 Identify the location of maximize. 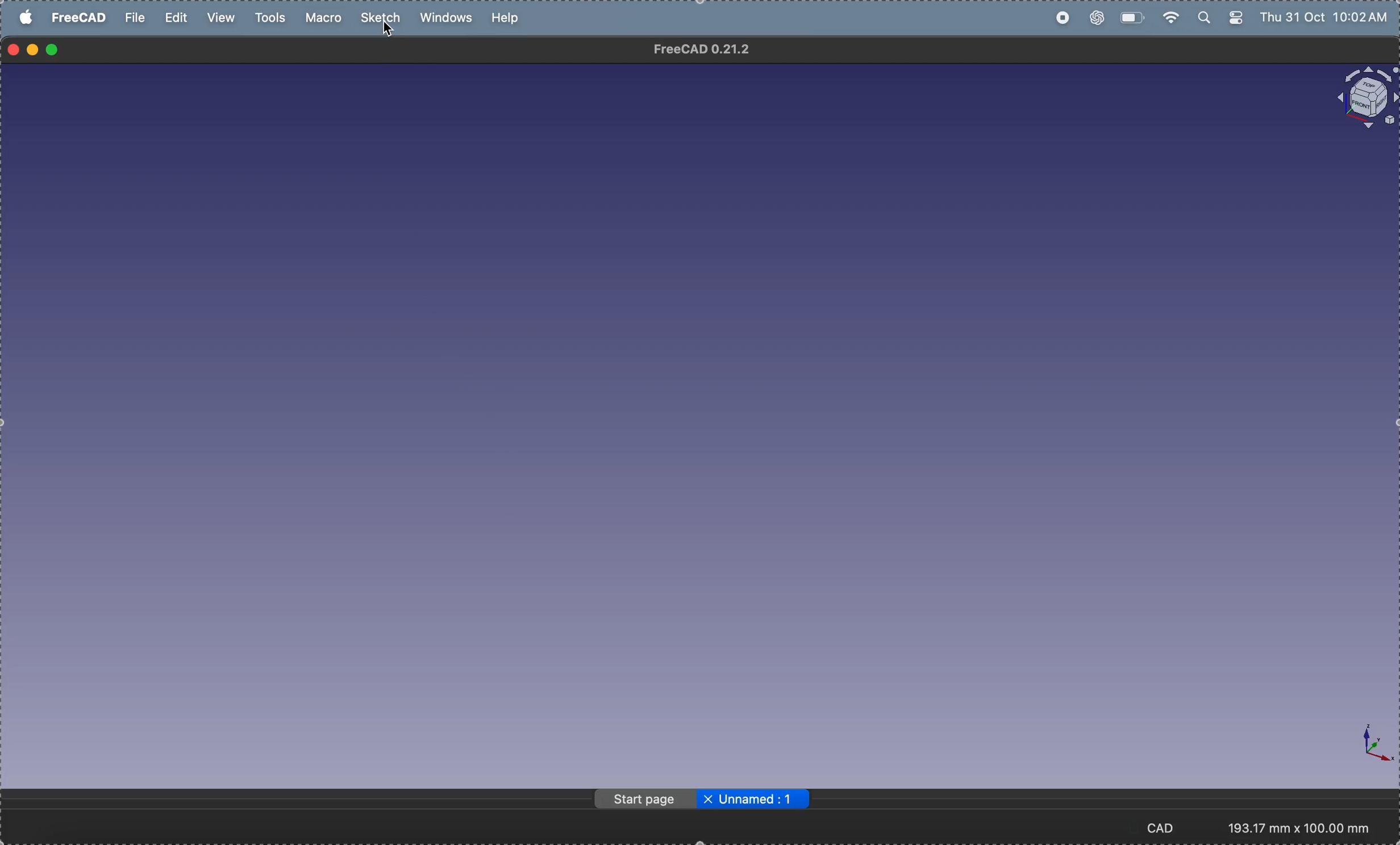
(53, 51).